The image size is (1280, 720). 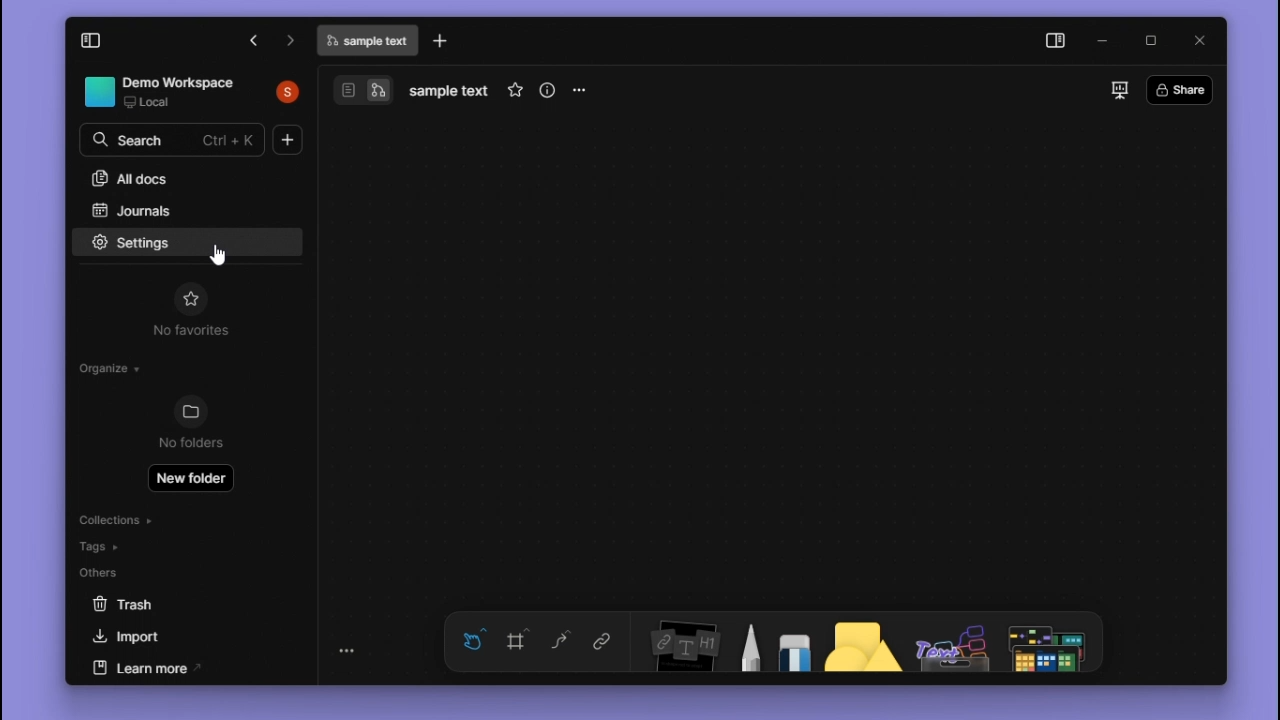 I want to click on favourite, so click(x=514, y=92).